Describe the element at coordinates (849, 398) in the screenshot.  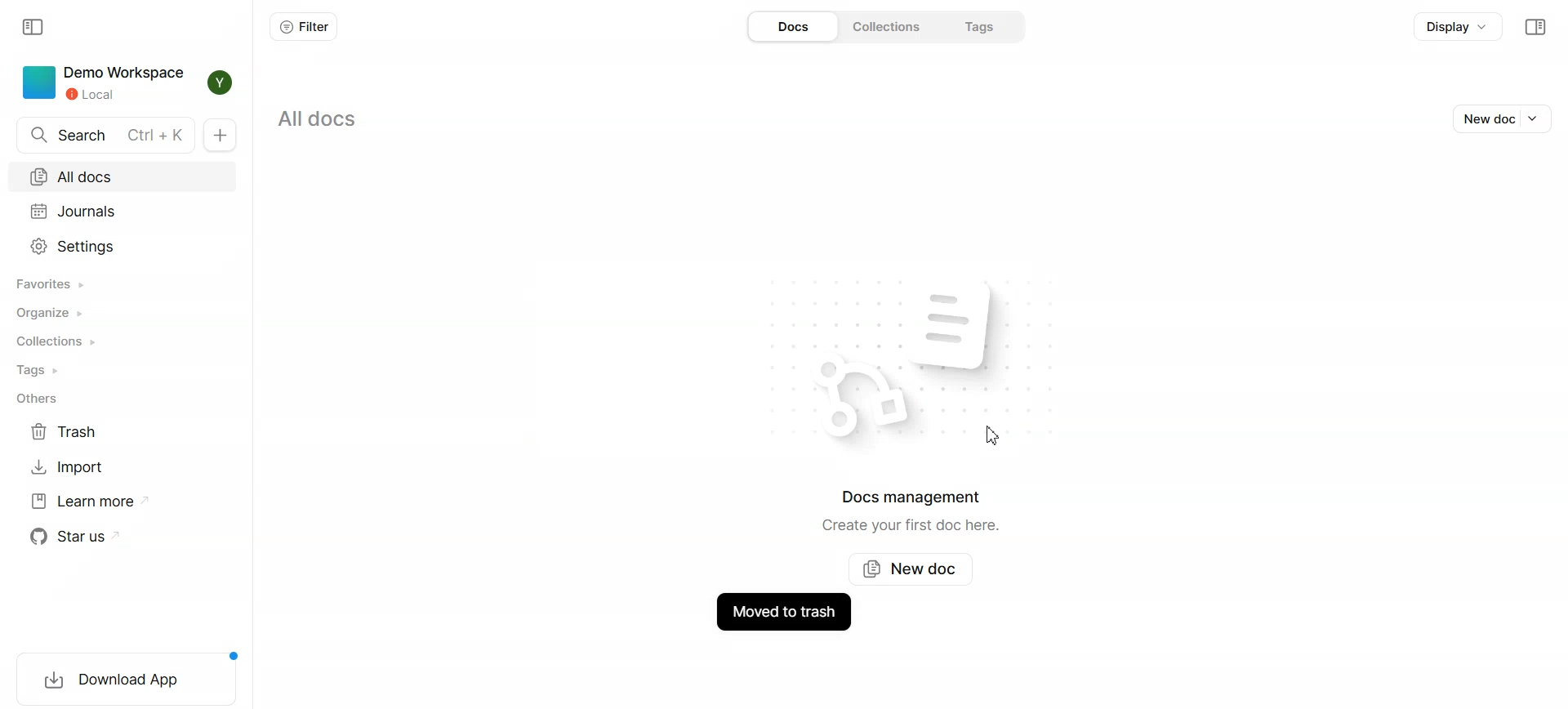
I see `logo` at that location.